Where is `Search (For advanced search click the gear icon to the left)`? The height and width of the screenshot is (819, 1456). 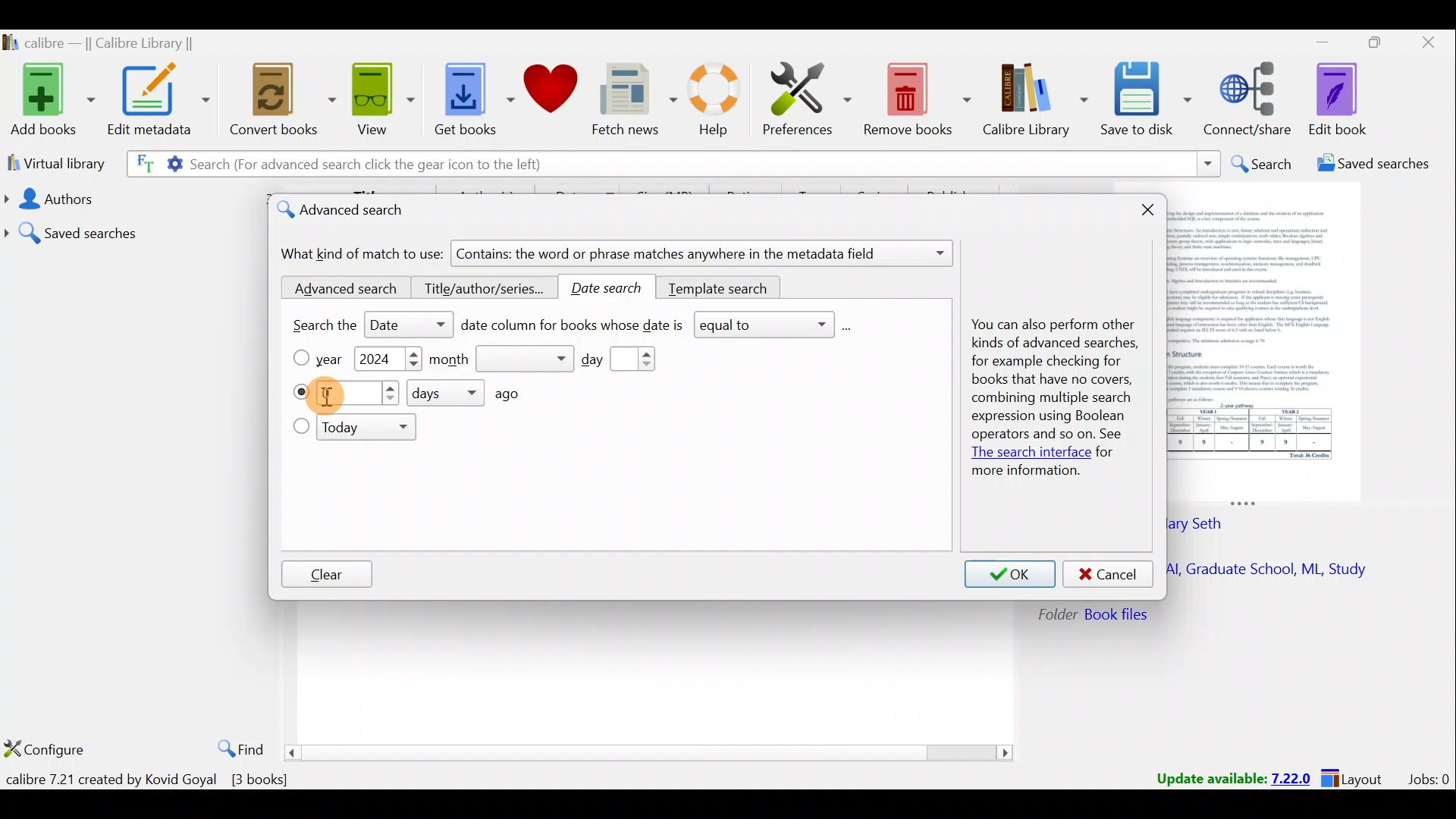 Search (For advanced search click the gear icon to the left) is located at coordinates (347, 166).